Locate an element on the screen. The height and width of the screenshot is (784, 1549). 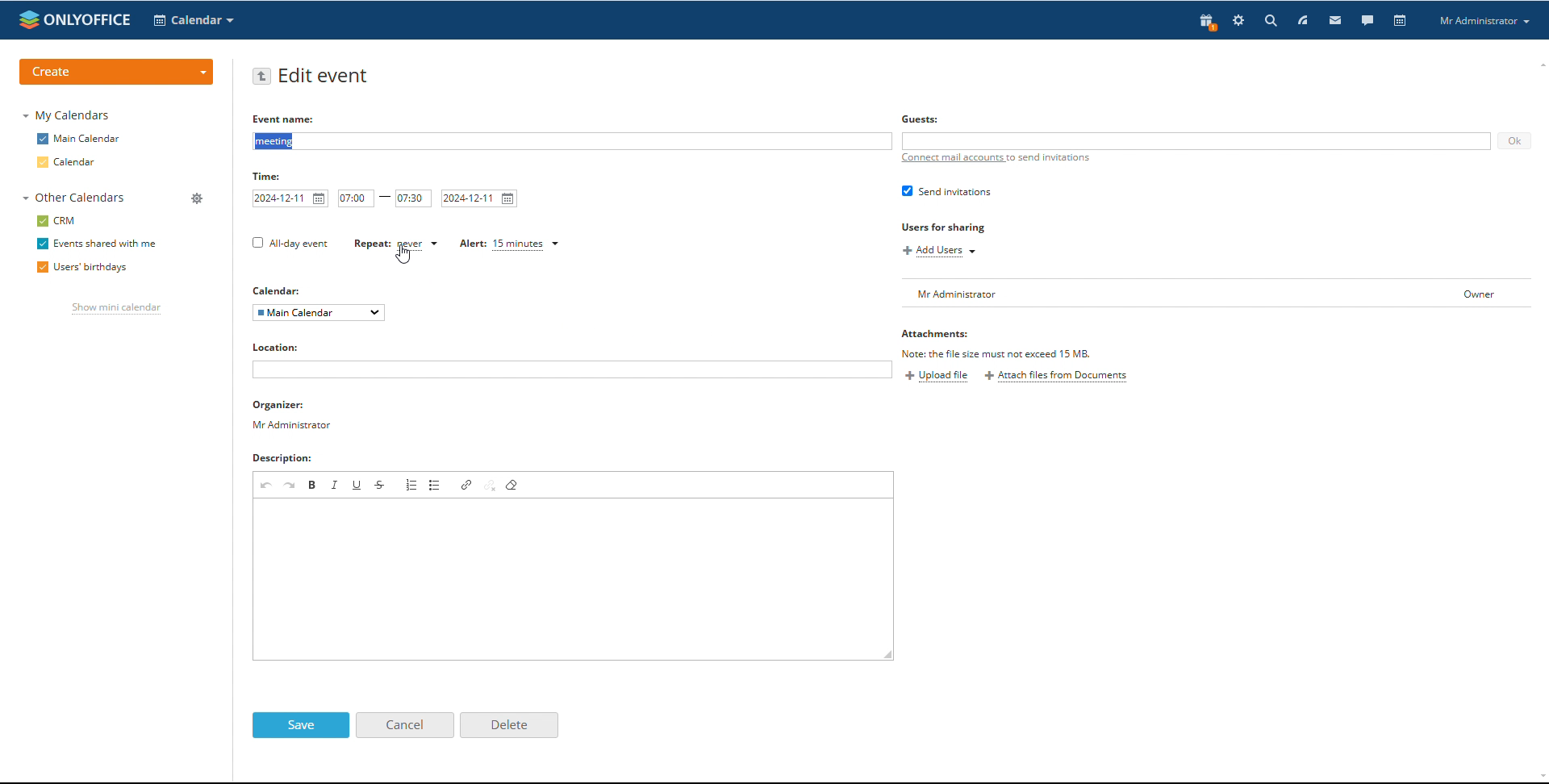
calendar is located at coordinates (1401, 20).